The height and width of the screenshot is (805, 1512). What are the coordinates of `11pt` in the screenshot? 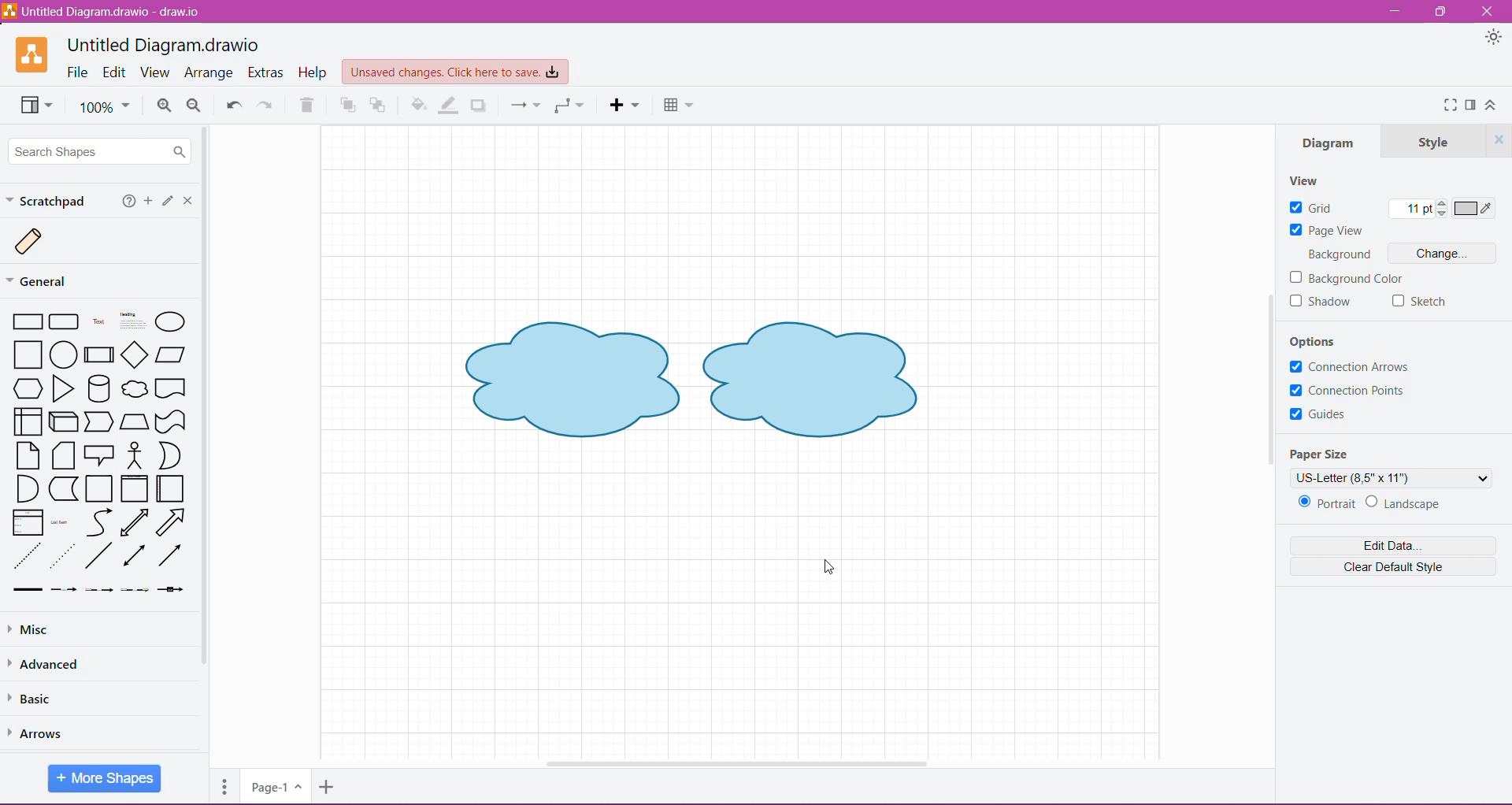 It's located at (1415, 210).